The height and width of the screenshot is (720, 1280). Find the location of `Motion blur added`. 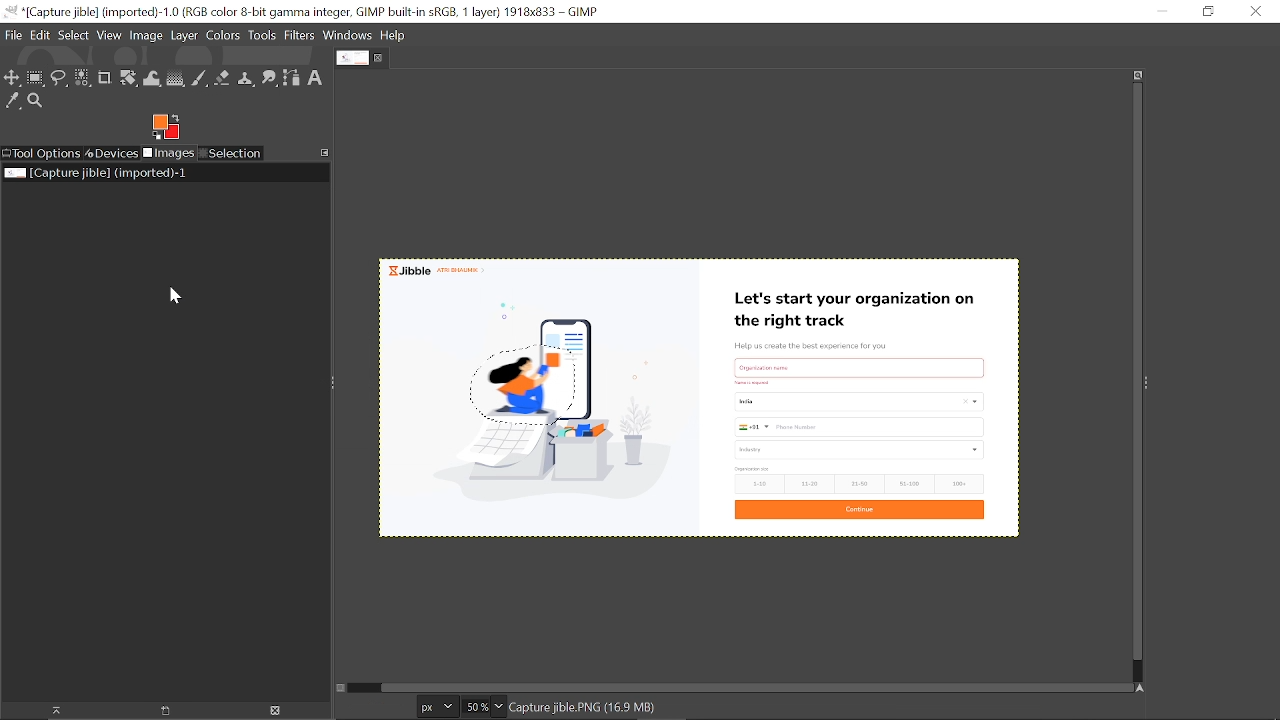

Motion blur added is located at coordinates (528, 383).